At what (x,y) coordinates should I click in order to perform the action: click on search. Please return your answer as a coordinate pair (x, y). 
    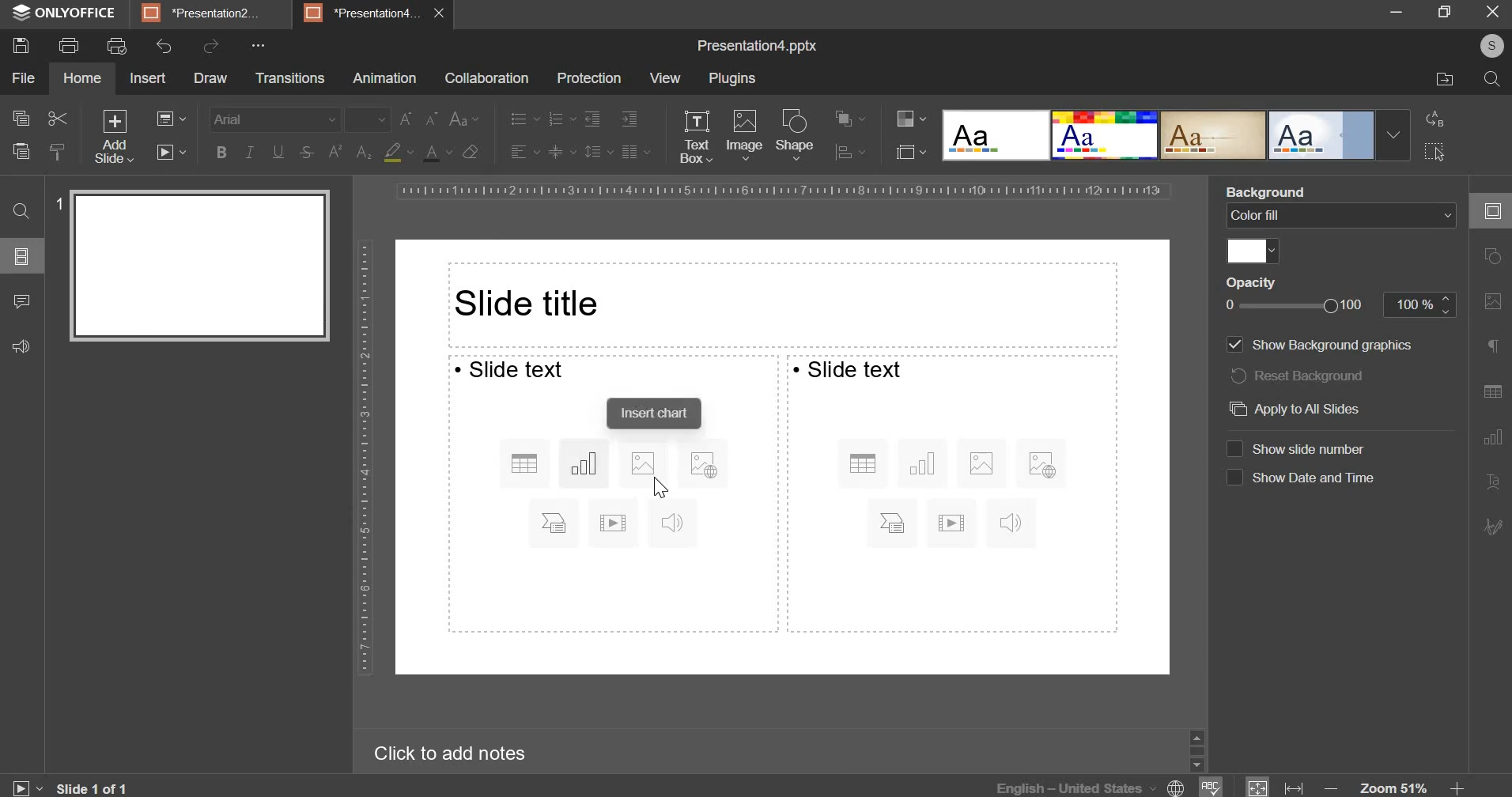
    Looking at the image, I should click on (1491, 81).